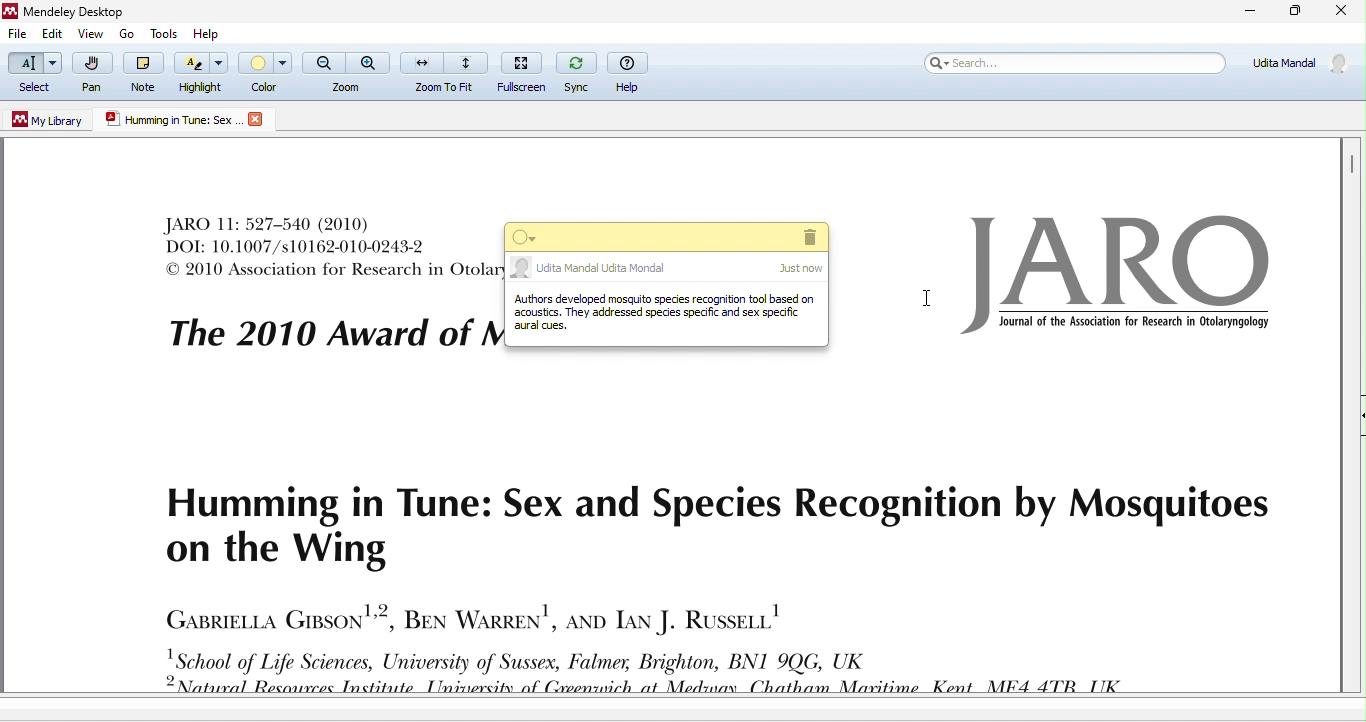 This screenshot has height=722, width=1366. I want to click on maximize, so click(1294, 12).